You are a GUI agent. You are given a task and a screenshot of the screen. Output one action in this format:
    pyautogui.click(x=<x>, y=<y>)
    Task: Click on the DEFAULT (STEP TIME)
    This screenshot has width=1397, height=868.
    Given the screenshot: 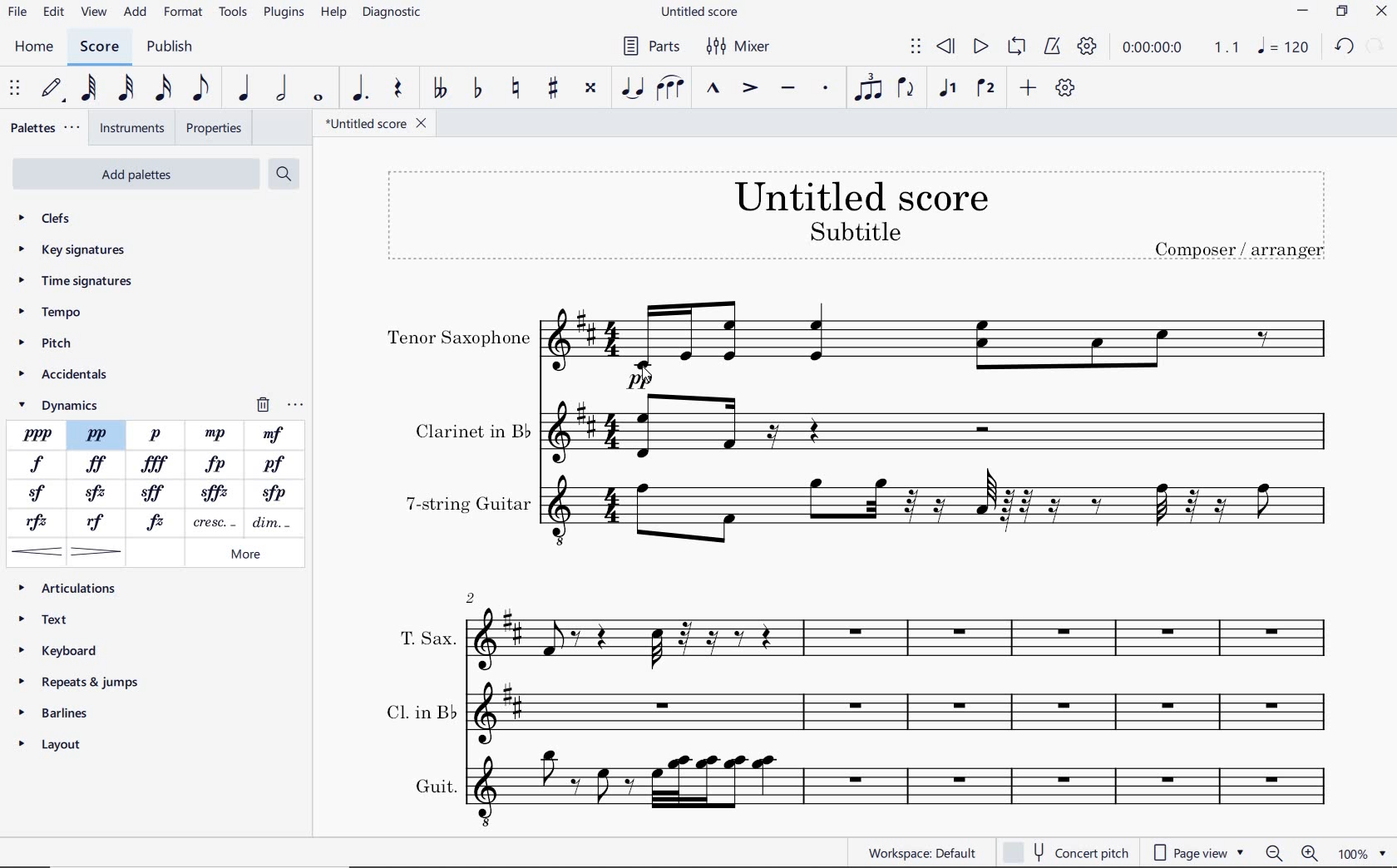 What is the action you would take?
    pyautogui.click(x=54, y=91)
    